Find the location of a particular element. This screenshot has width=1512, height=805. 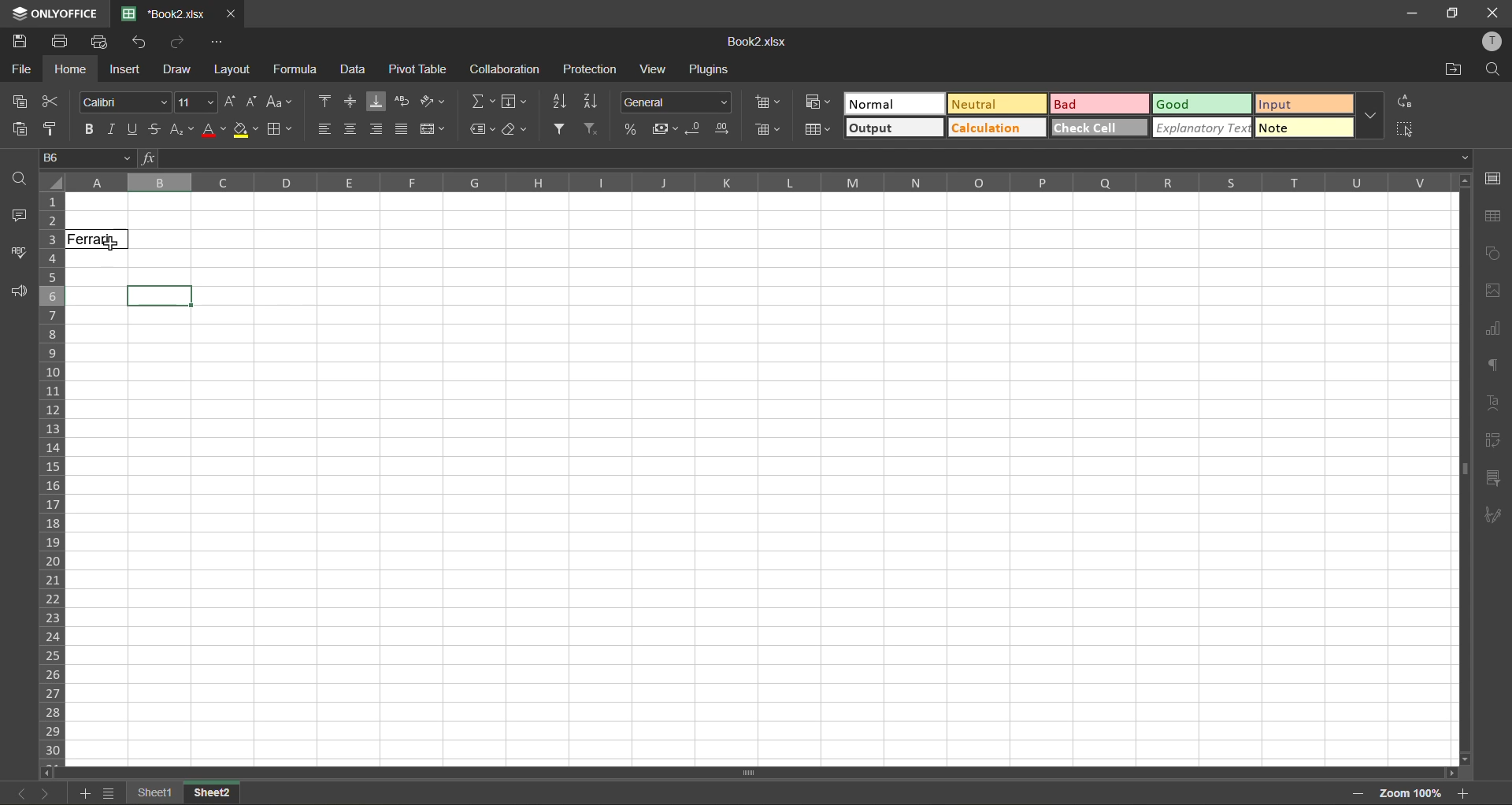

quick print is located at coordinates (99, 43).